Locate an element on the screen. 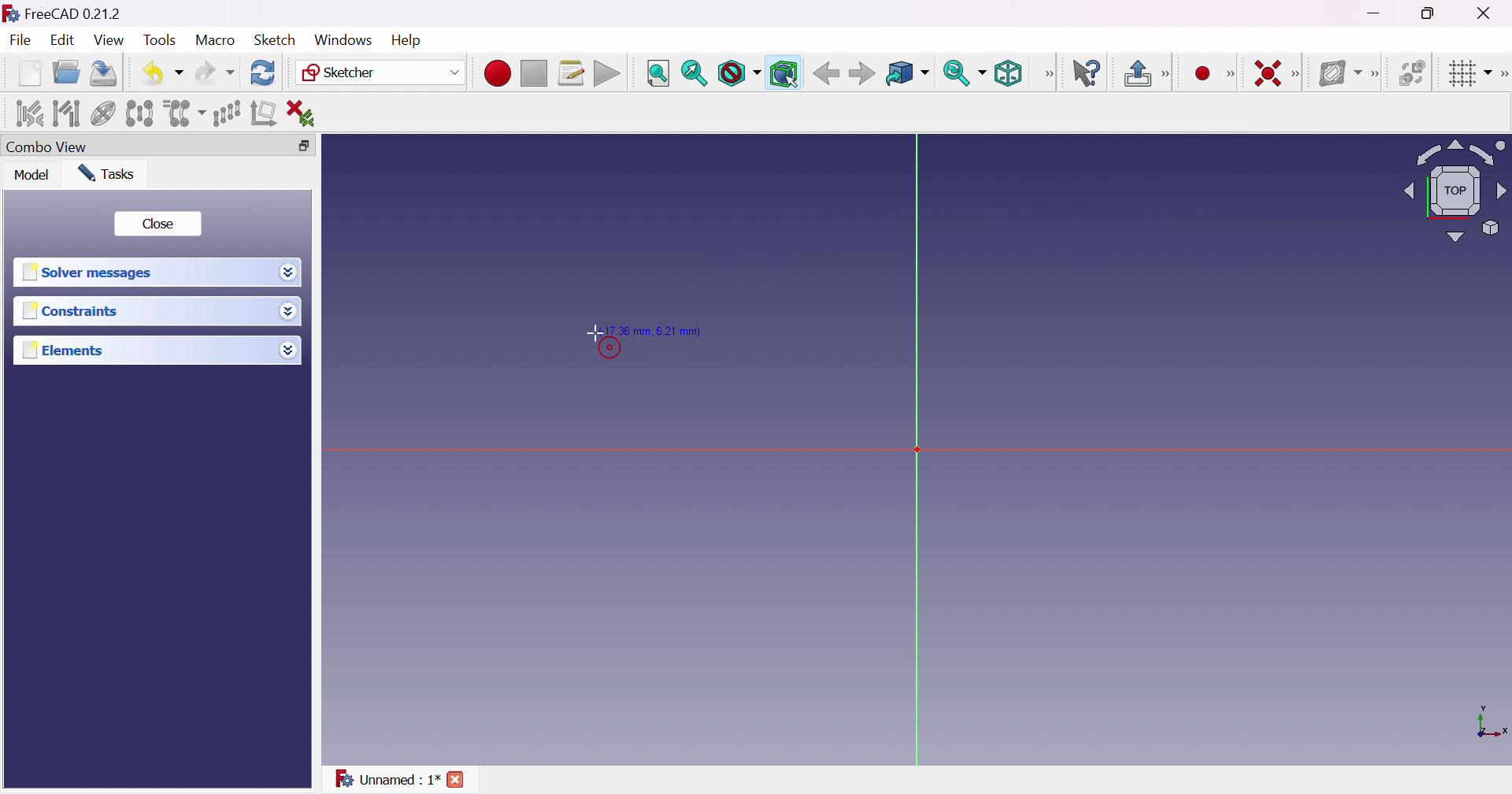  Execute macro is located at coordinates (608, 74).